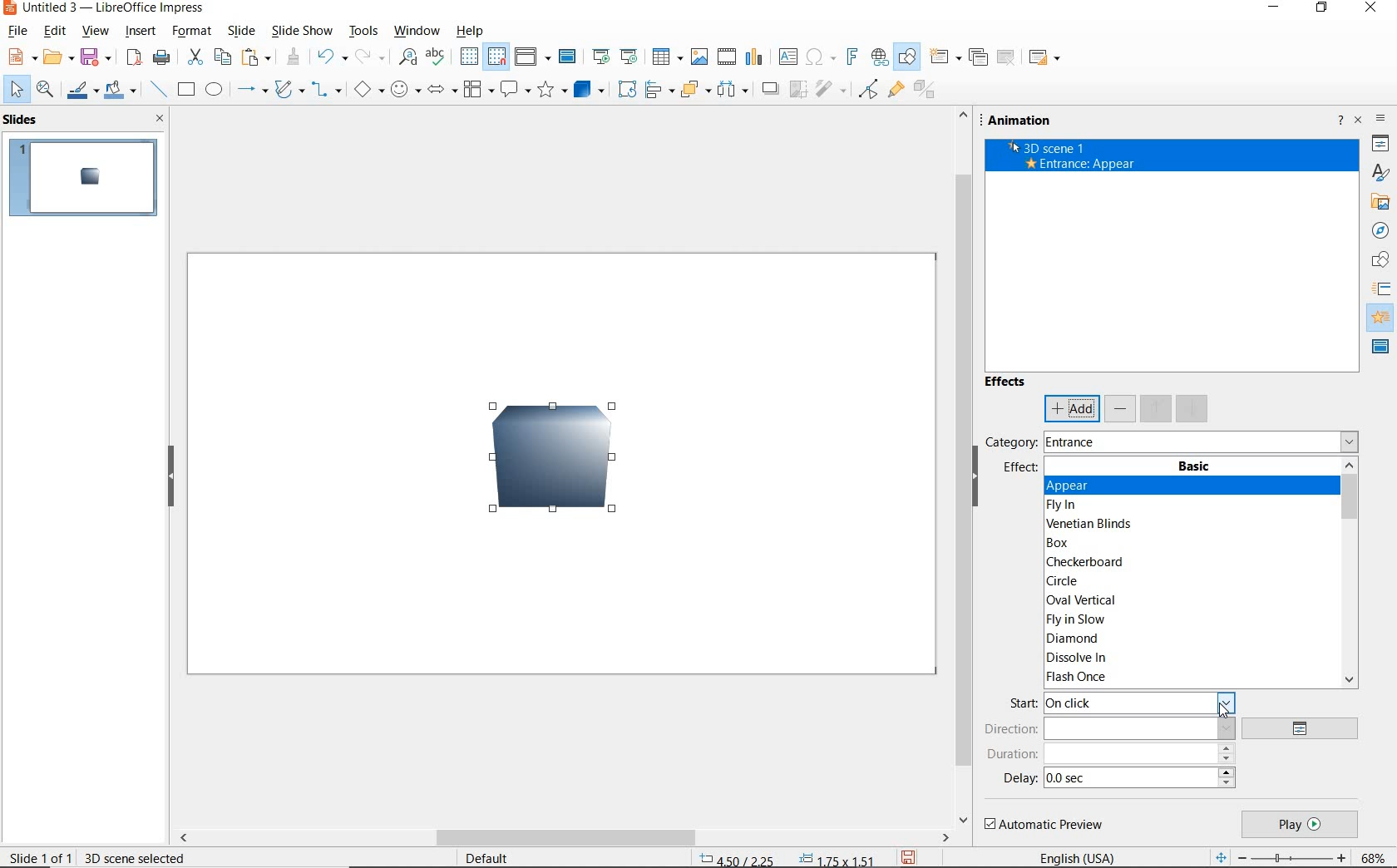 Image resolution: width=1397 pixels, height=868 pixels. Describe the element at coordinates (1007, 385) in the screenshot. I see `effects` at that location.